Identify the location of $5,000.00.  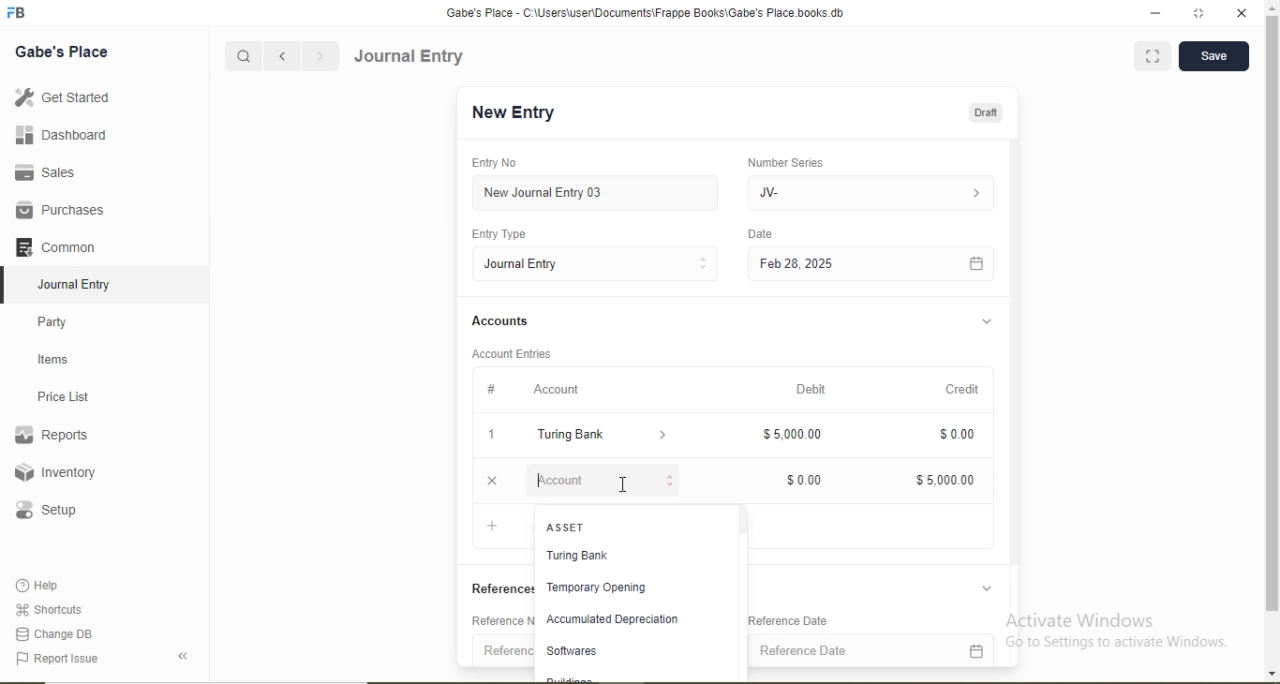
(795, 433).